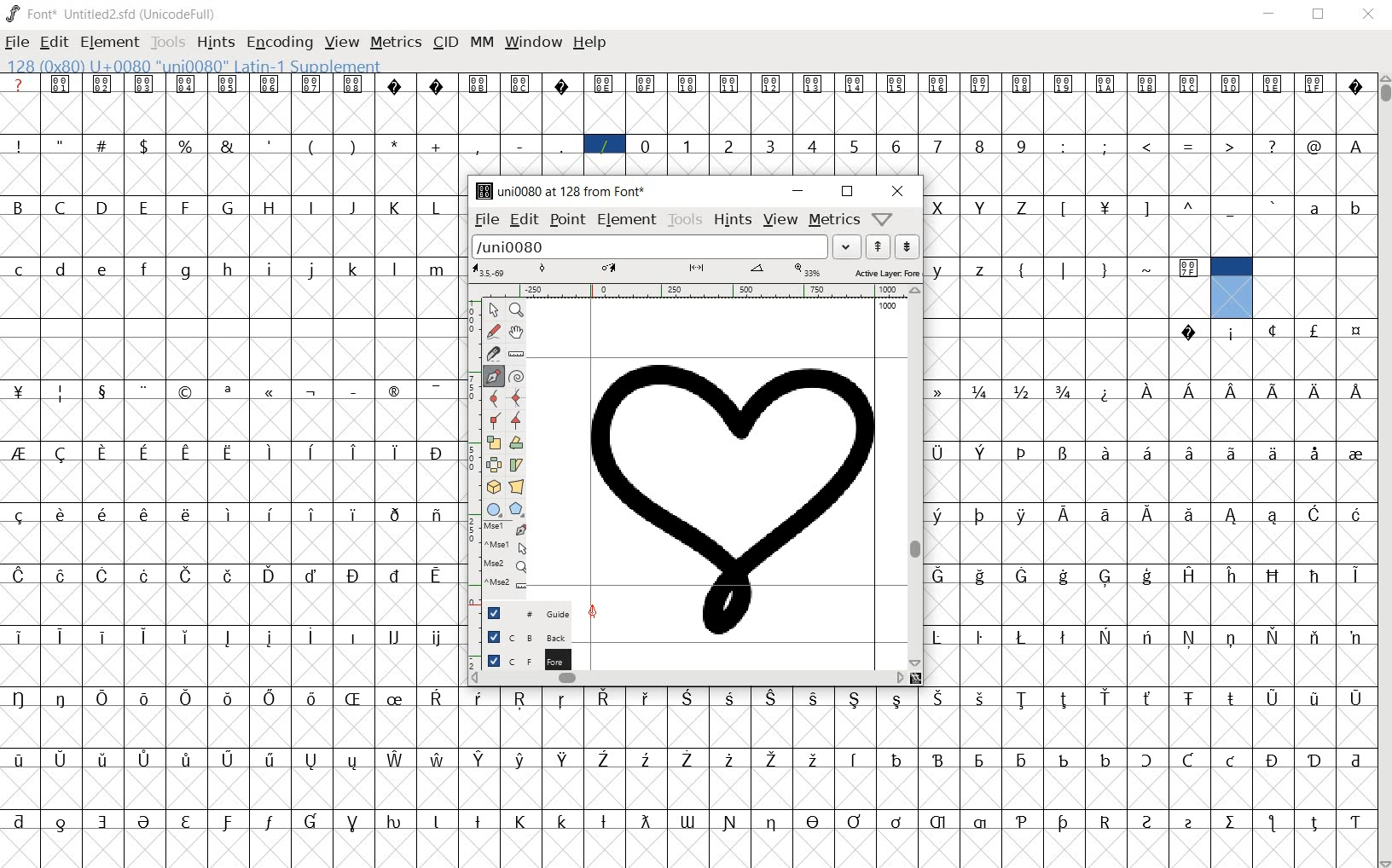 Image resolution: width=1392 pixels, height=868 pixels. I want to click on glyph, so click(1022, 146).